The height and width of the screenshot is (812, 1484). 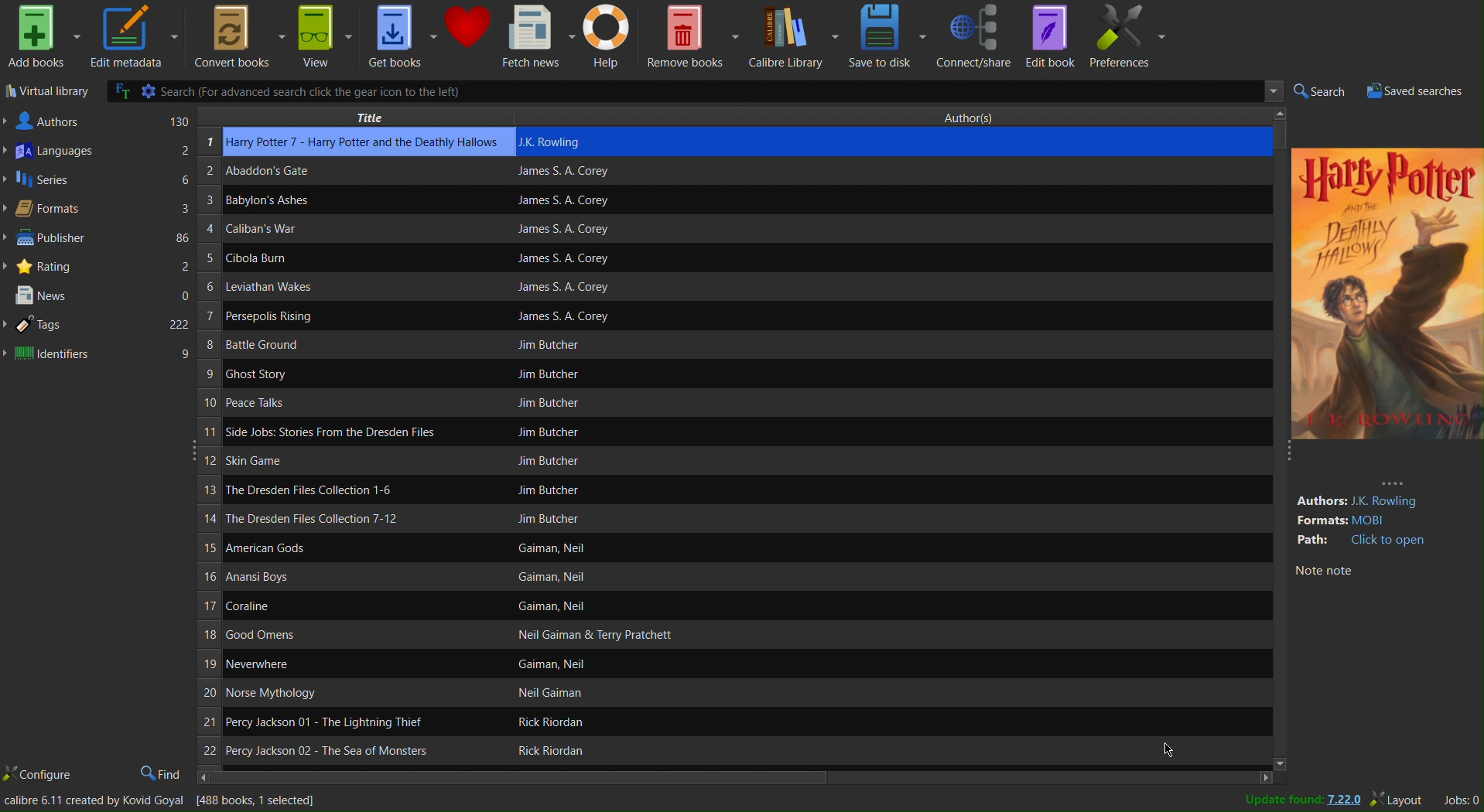 What do you see at coordinates (1321, 91) in the screenshot?
I see `Search` at bounding box center [1321, 91].